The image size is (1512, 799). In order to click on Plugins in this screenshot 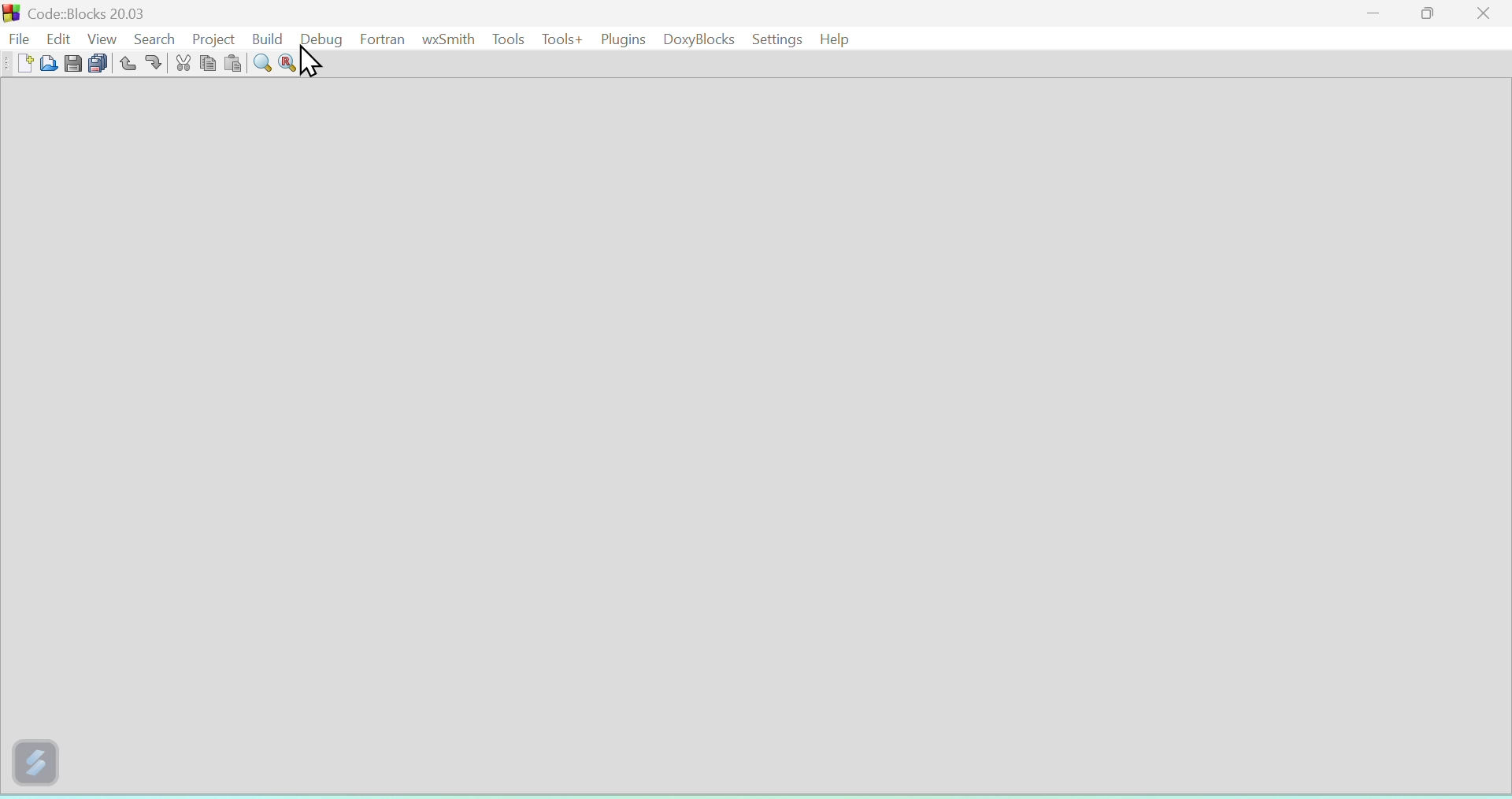, I will do `click(619, 38)`.